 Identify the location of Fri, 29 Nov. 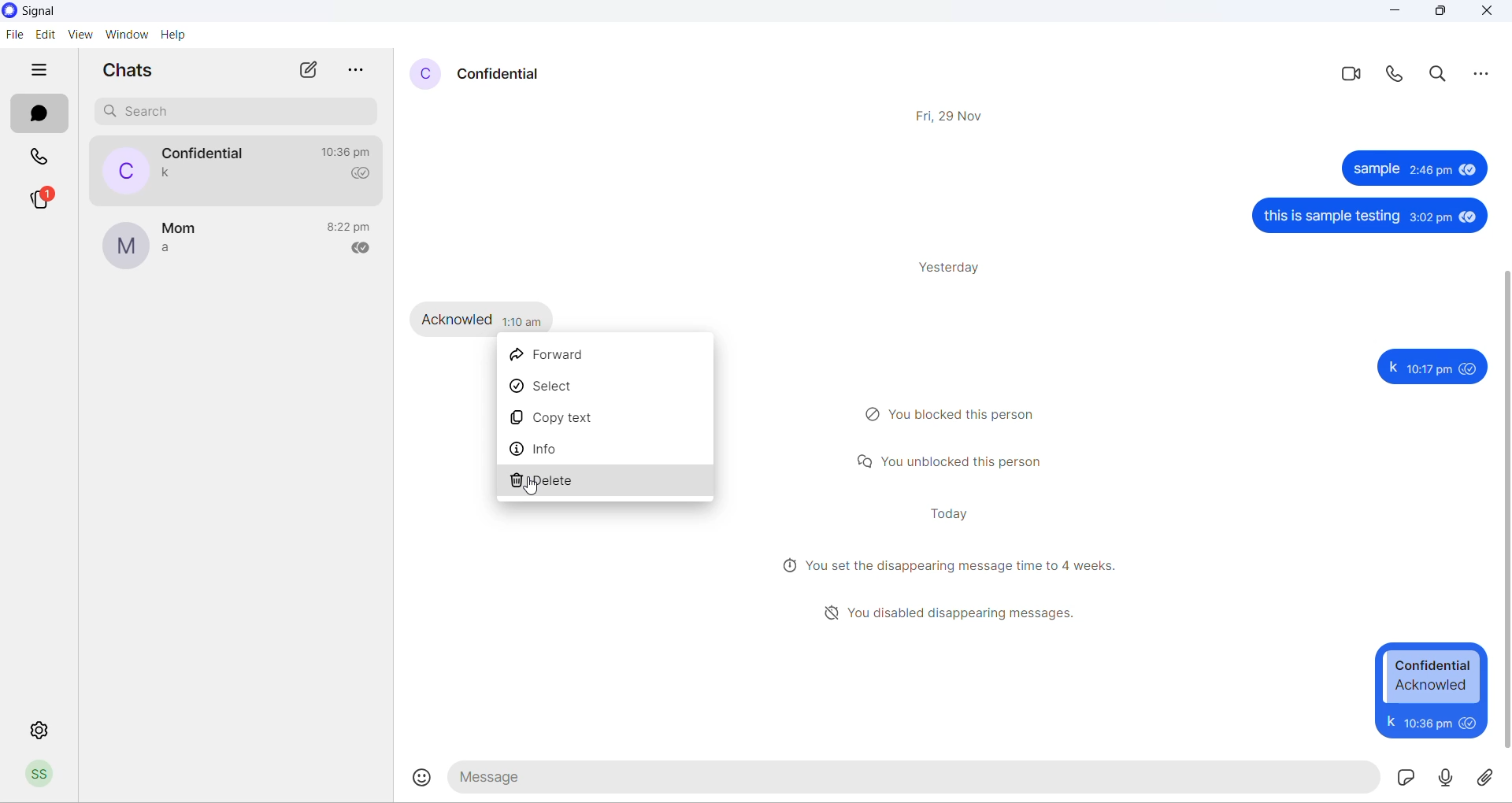
(946, 117).